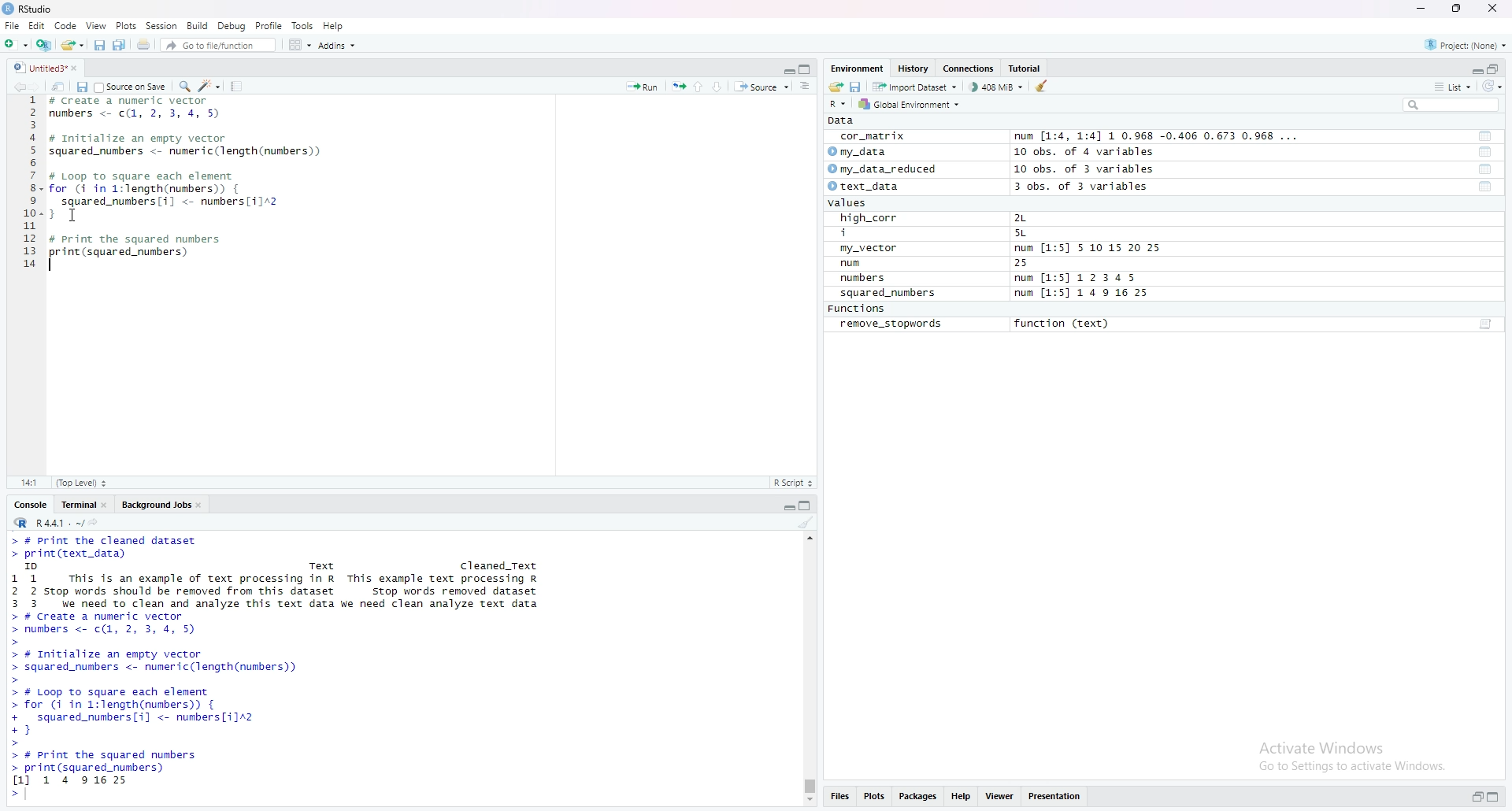 The width and height of the screenshot is (1512, 811). What do you see at coordinates (1467, 43) in the screenshot?
I see `Project: (None)` at bounding box center [1467, 43].